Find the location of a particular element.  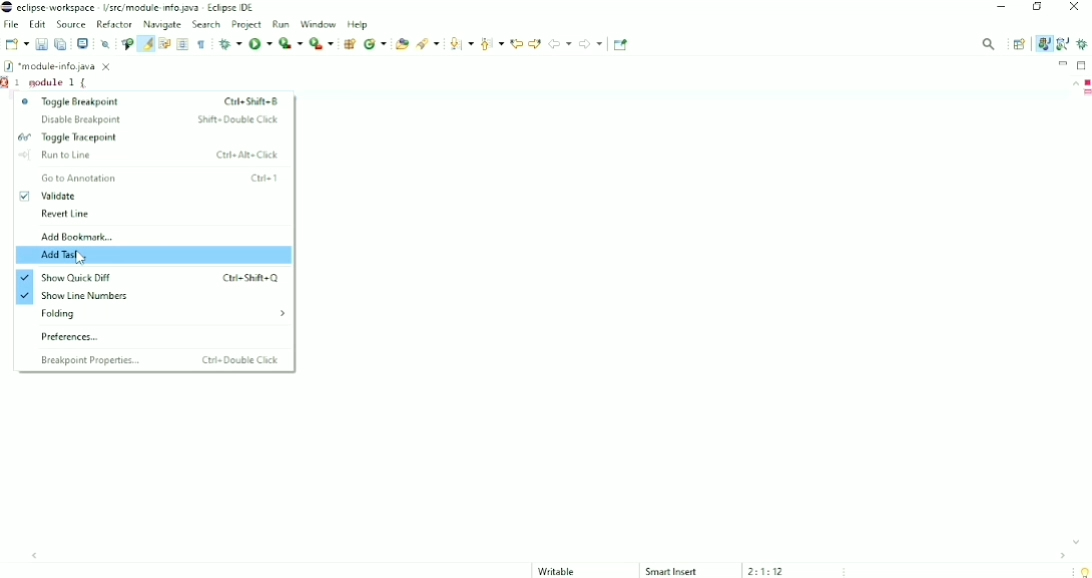

Minimize is located at coordinates (1003, 8).